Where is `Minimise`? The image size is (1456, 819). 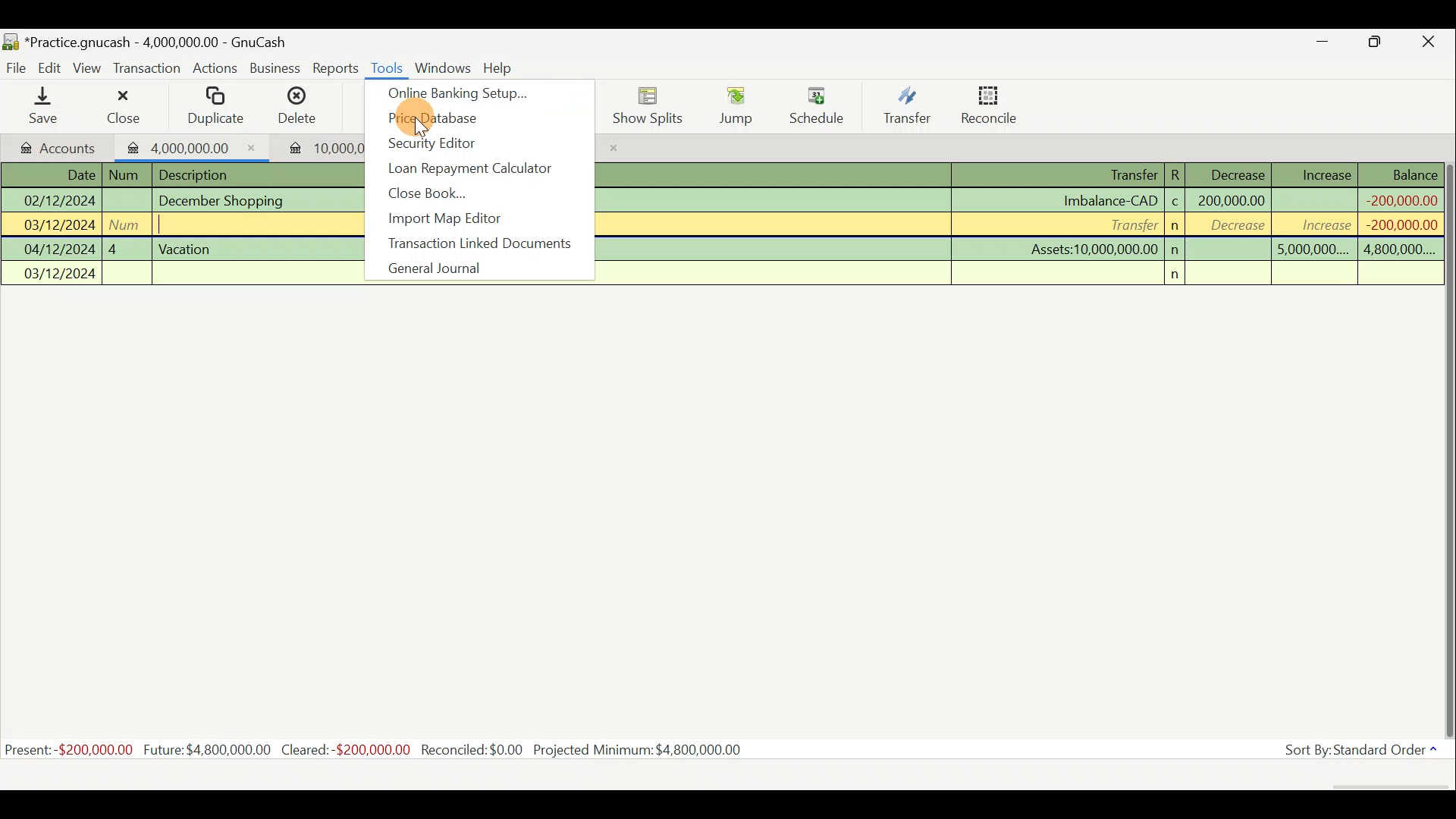 Minimise is located at coordinates (1325, 45).